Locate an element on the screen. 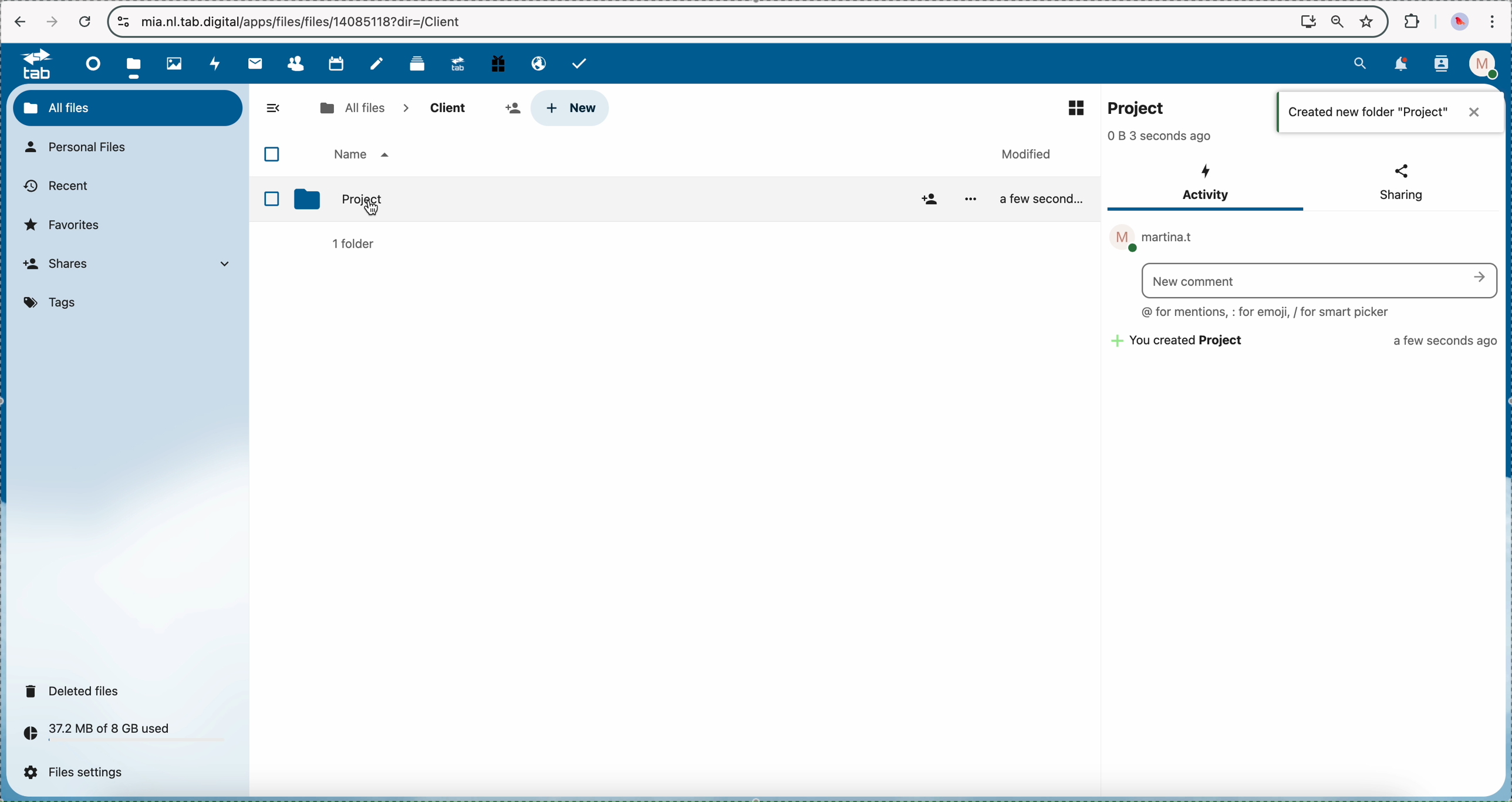 This screenshot has width=1512, height=802. Modified is located at coordinates (1027, 156).